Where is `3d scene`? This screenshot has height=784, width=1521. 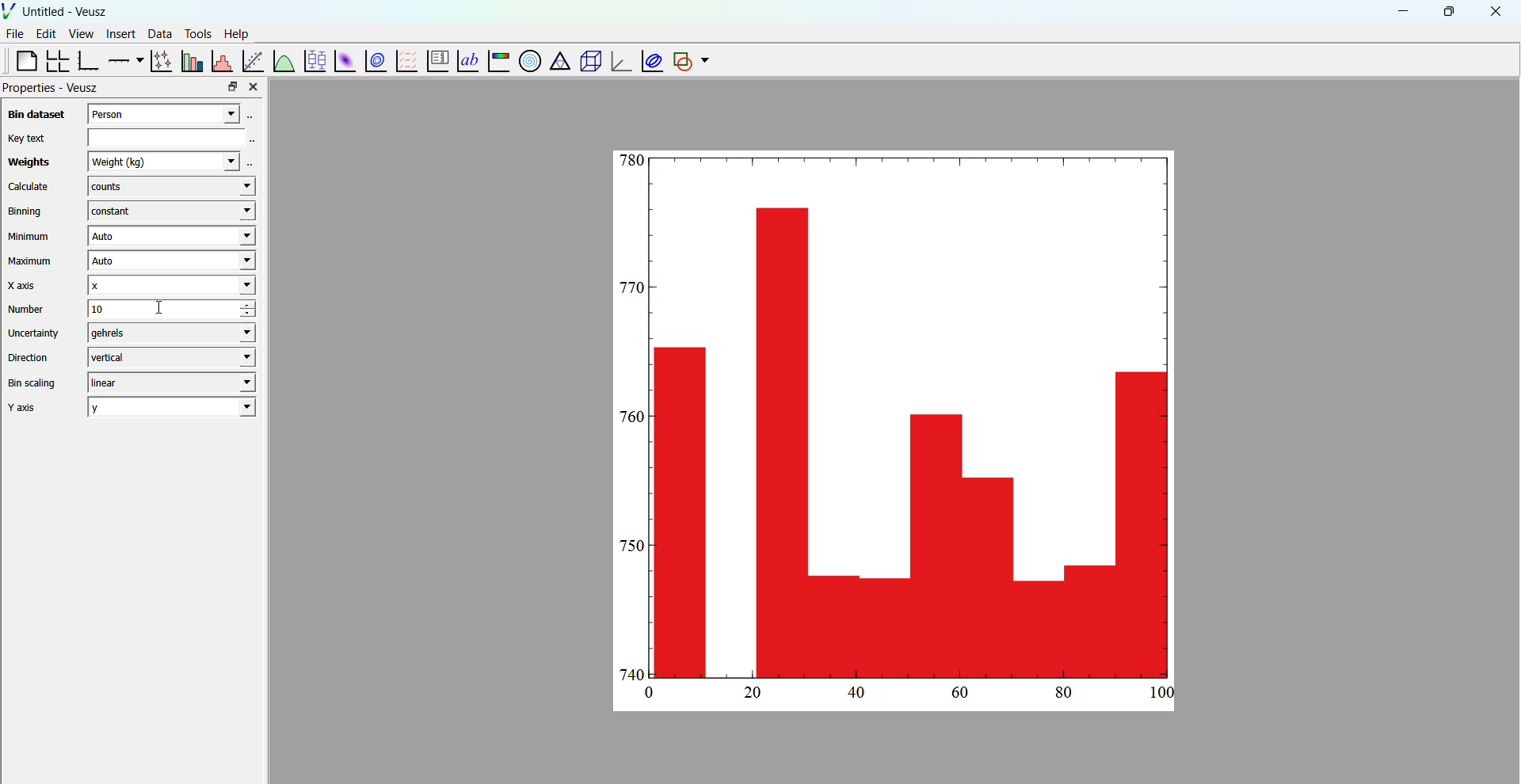
3d scene is located at coordinates (588, 62).